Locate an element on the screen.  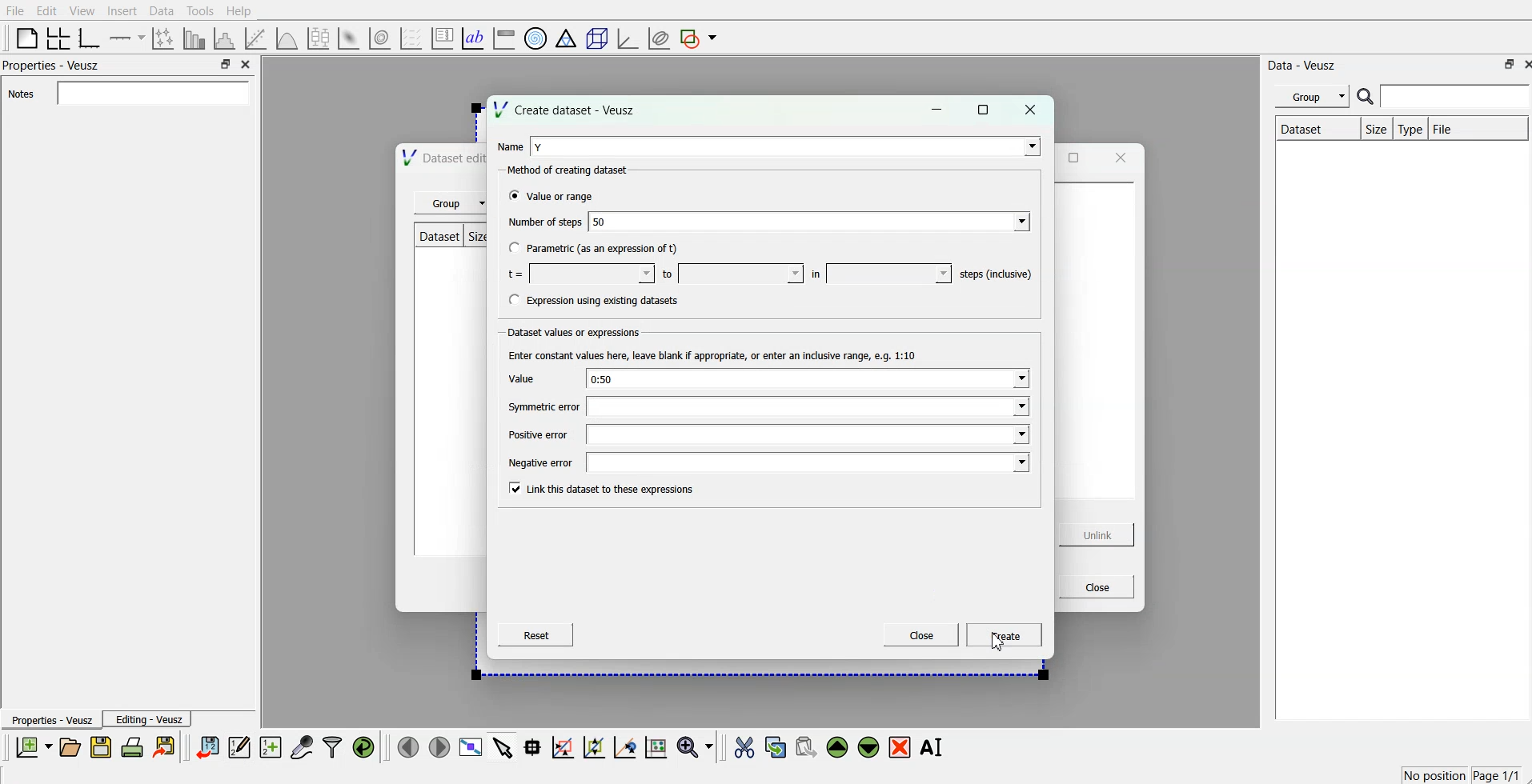
Value or range is located at coordinates (565, 198).